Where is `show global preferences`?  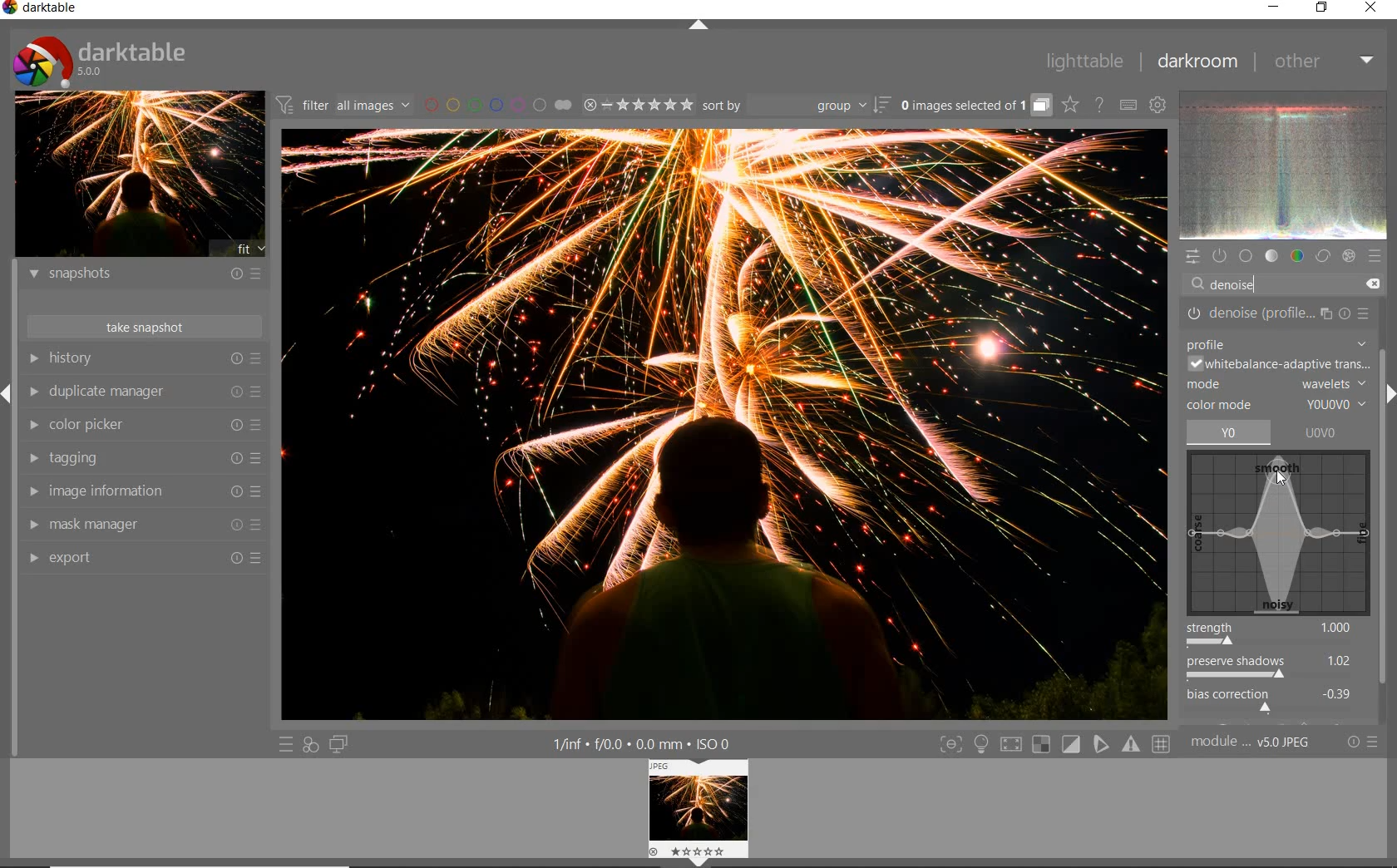 show global preferences is located at coordinates (1161, 105).